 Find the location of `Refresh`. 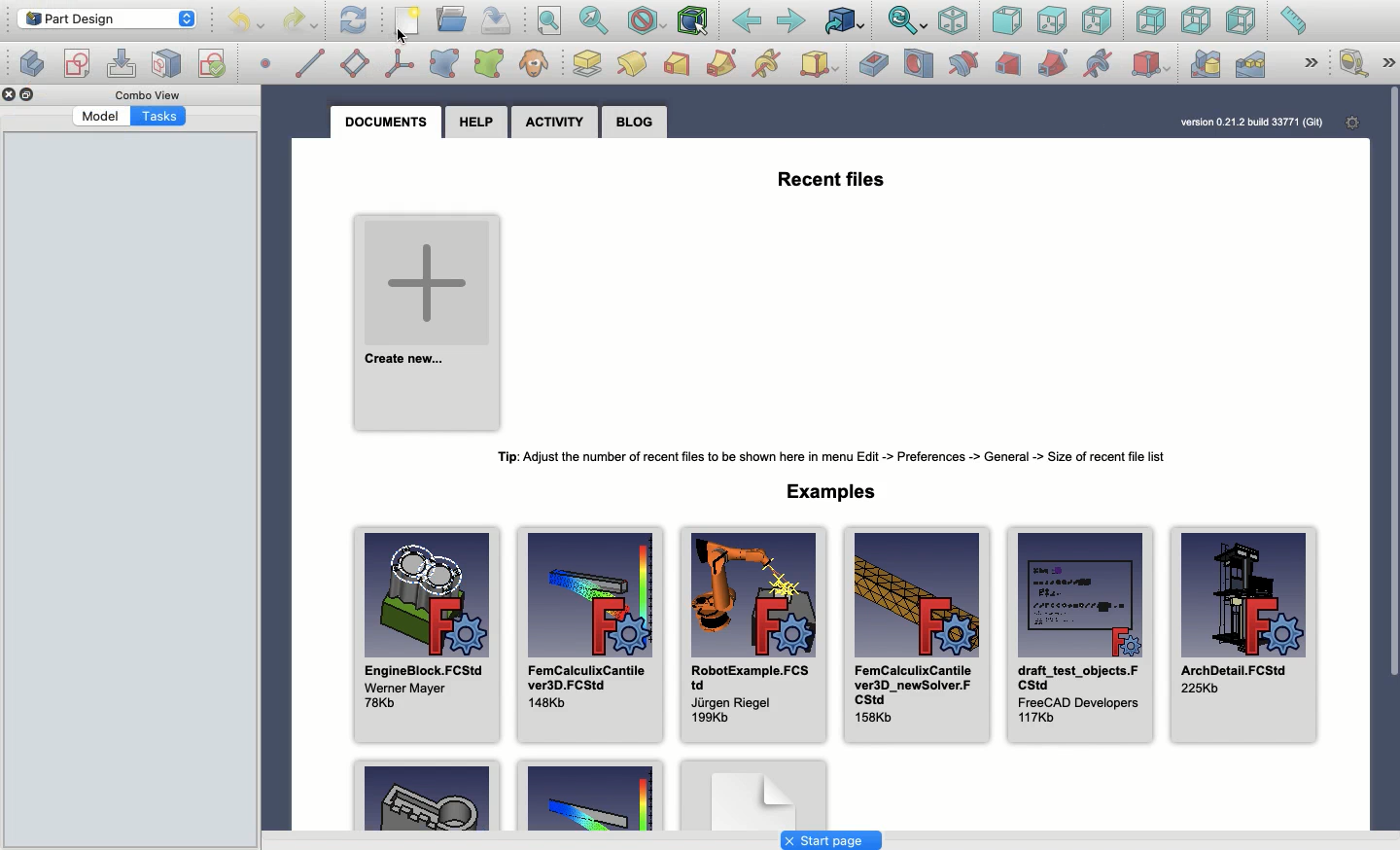

Refresh is located at coordinates (353, 18).